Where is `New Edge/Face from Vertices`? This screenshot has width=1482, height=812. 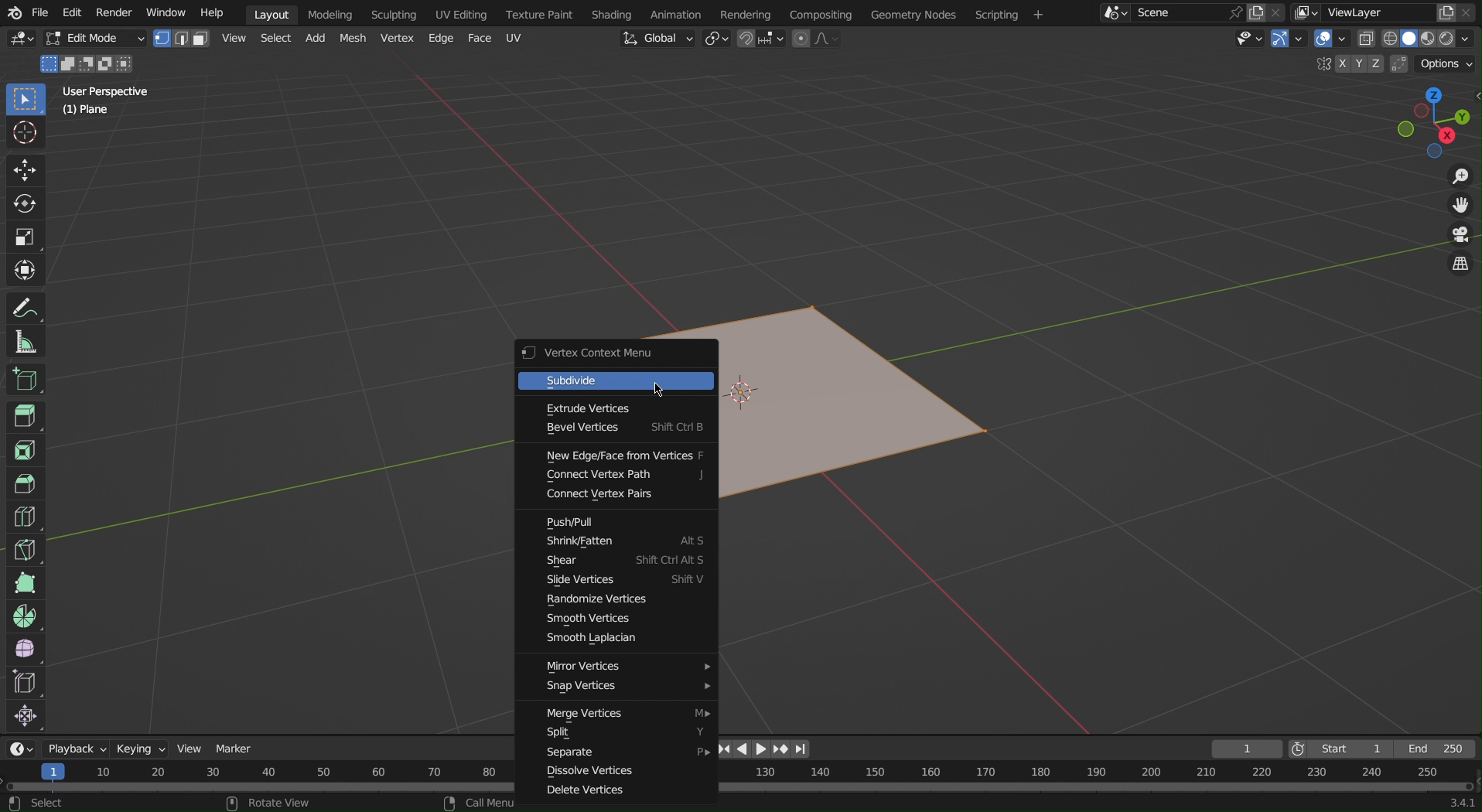 New Edge/Face from Vertices is located at coordinates (625, 453).